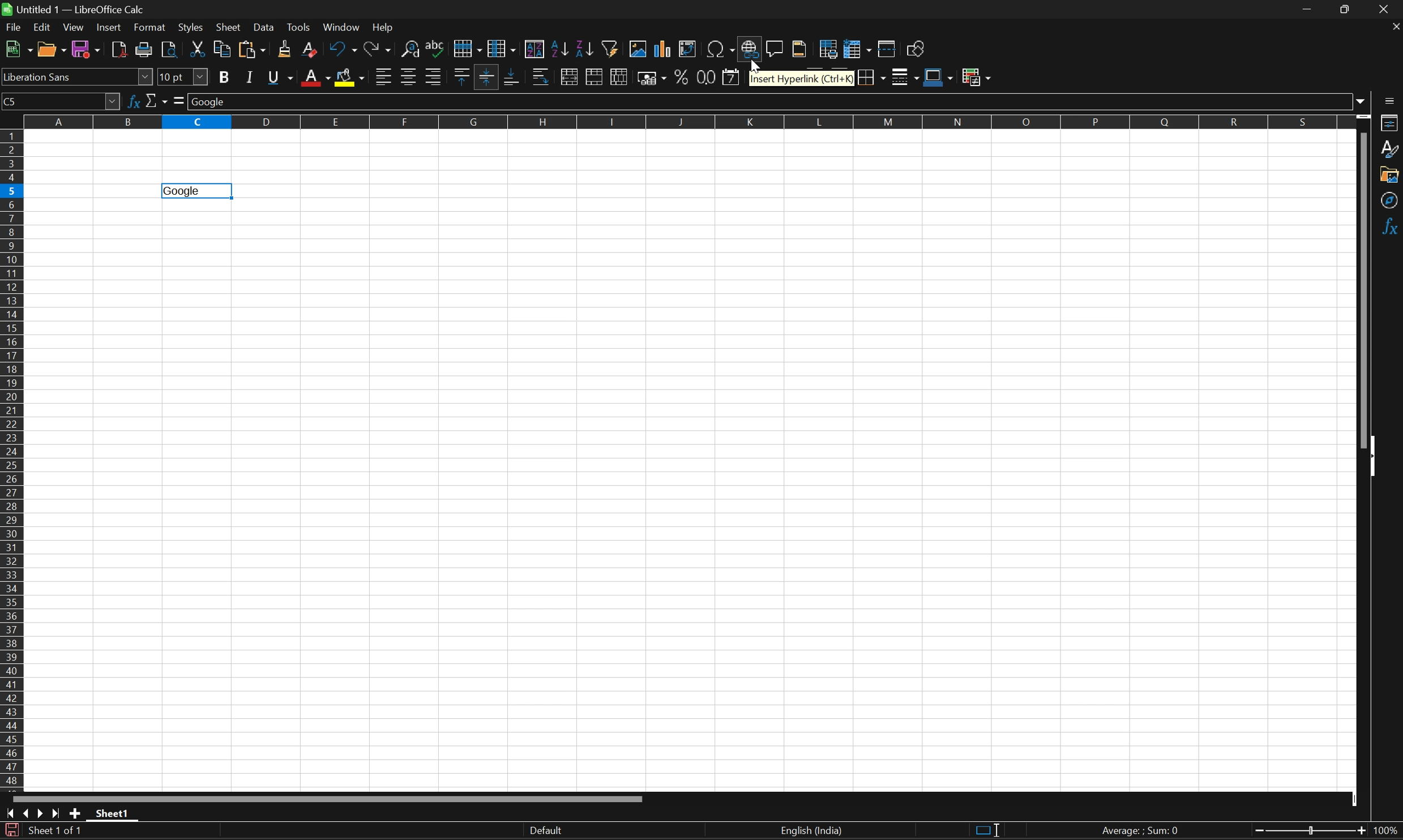 The image size is (1403, 840). Describe the element at coordinates (758, 67) in the screenshot. I see `Cursor` at that location.